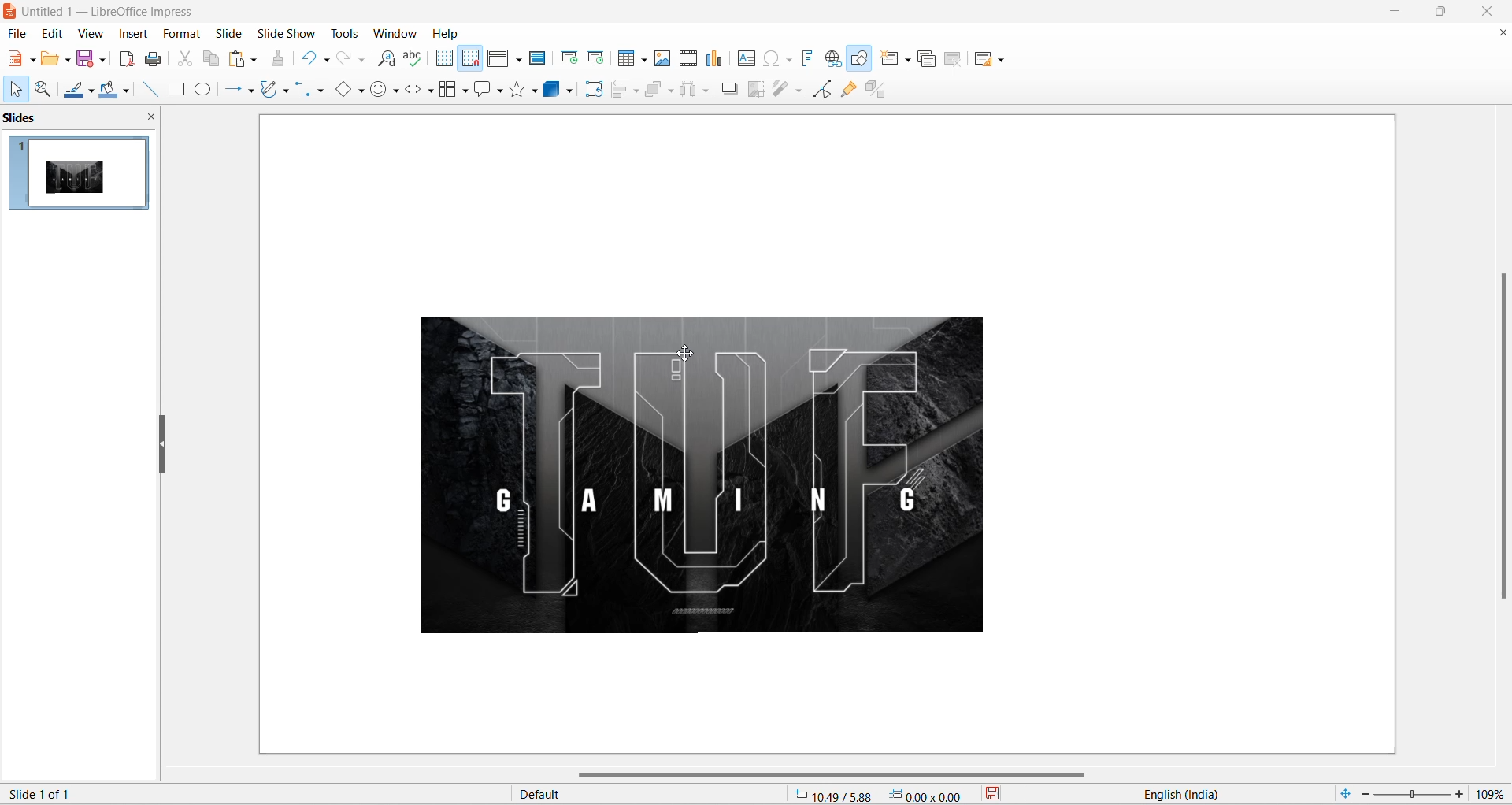 This screenshot has height=805, width=1512. I want to click on callout shape, so click(481, 91).